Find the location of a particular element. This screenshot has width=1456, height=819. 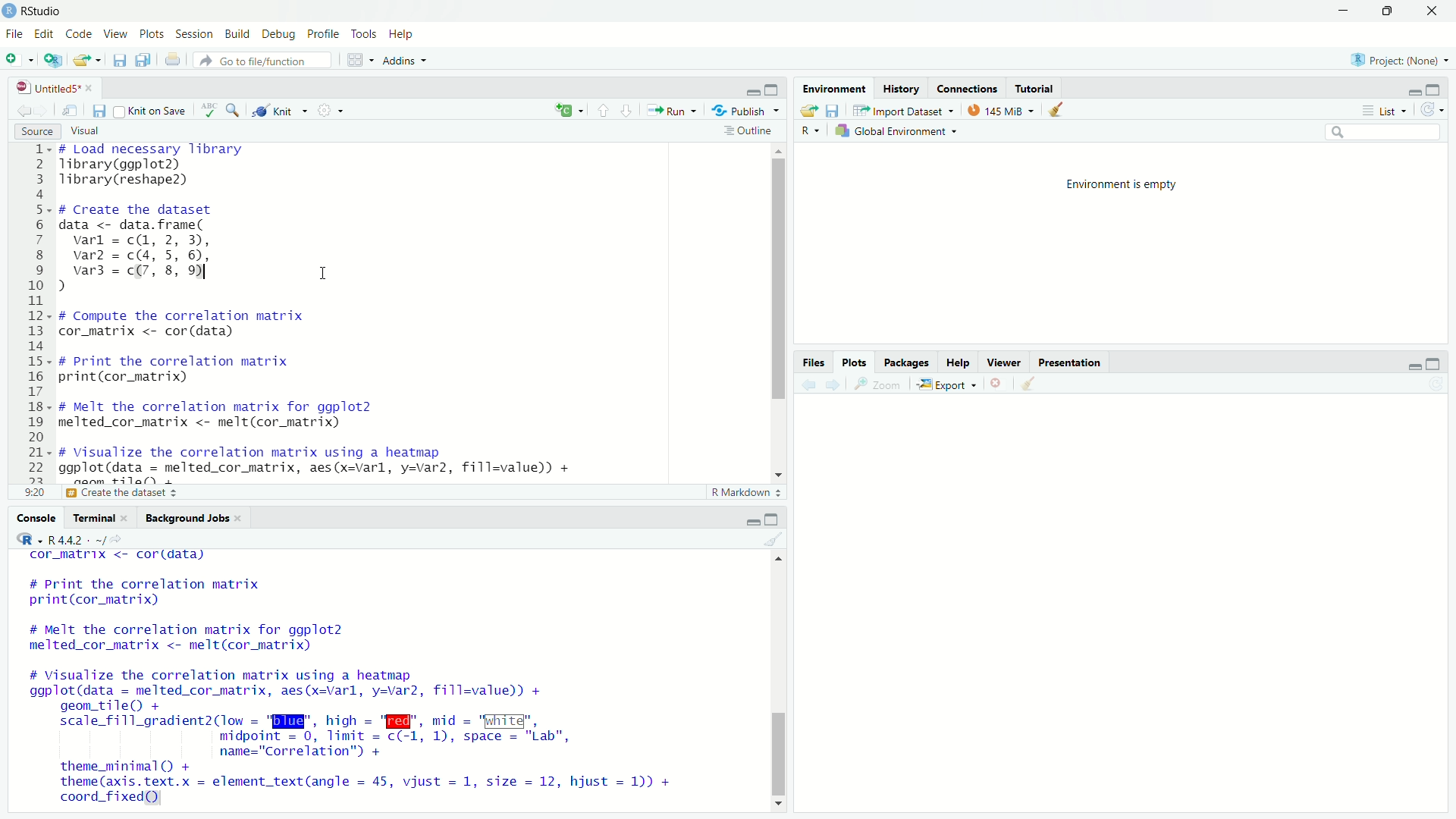

clear console is located at coordinates (777, 538).